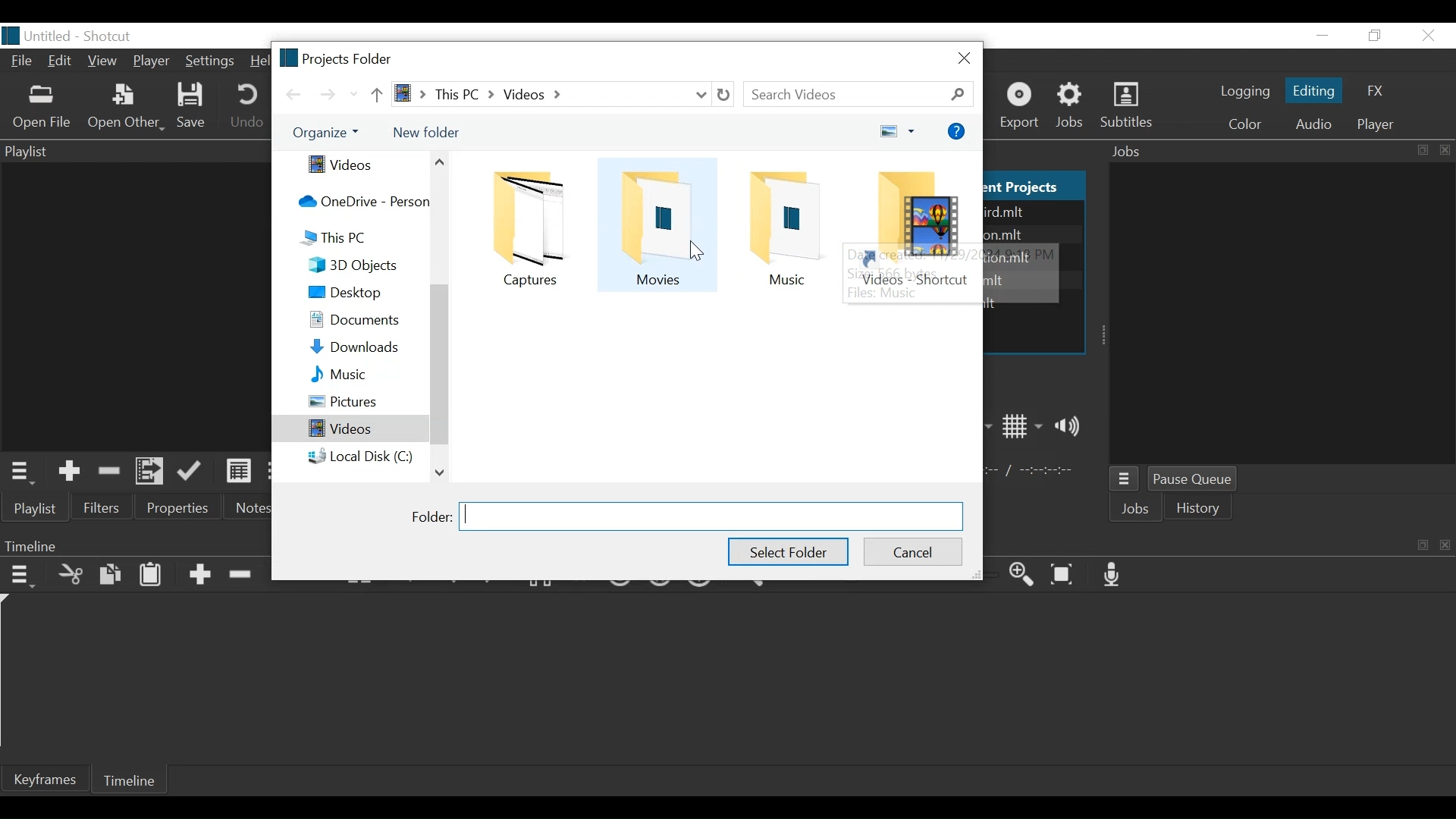  I want to click on Editing, so click(1312, 89).